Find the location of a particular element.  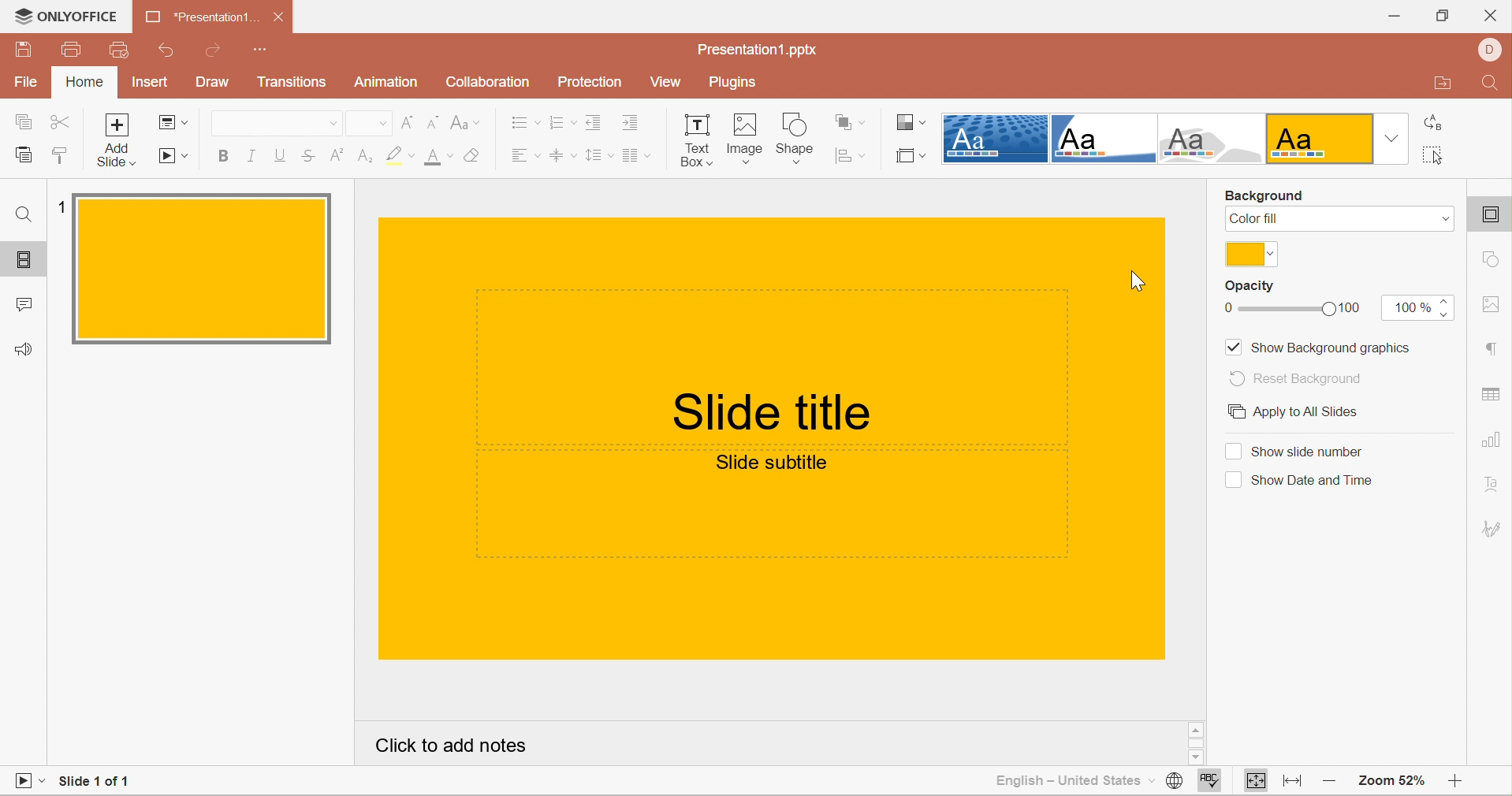

Corner is located at coordinates (1102, 140).